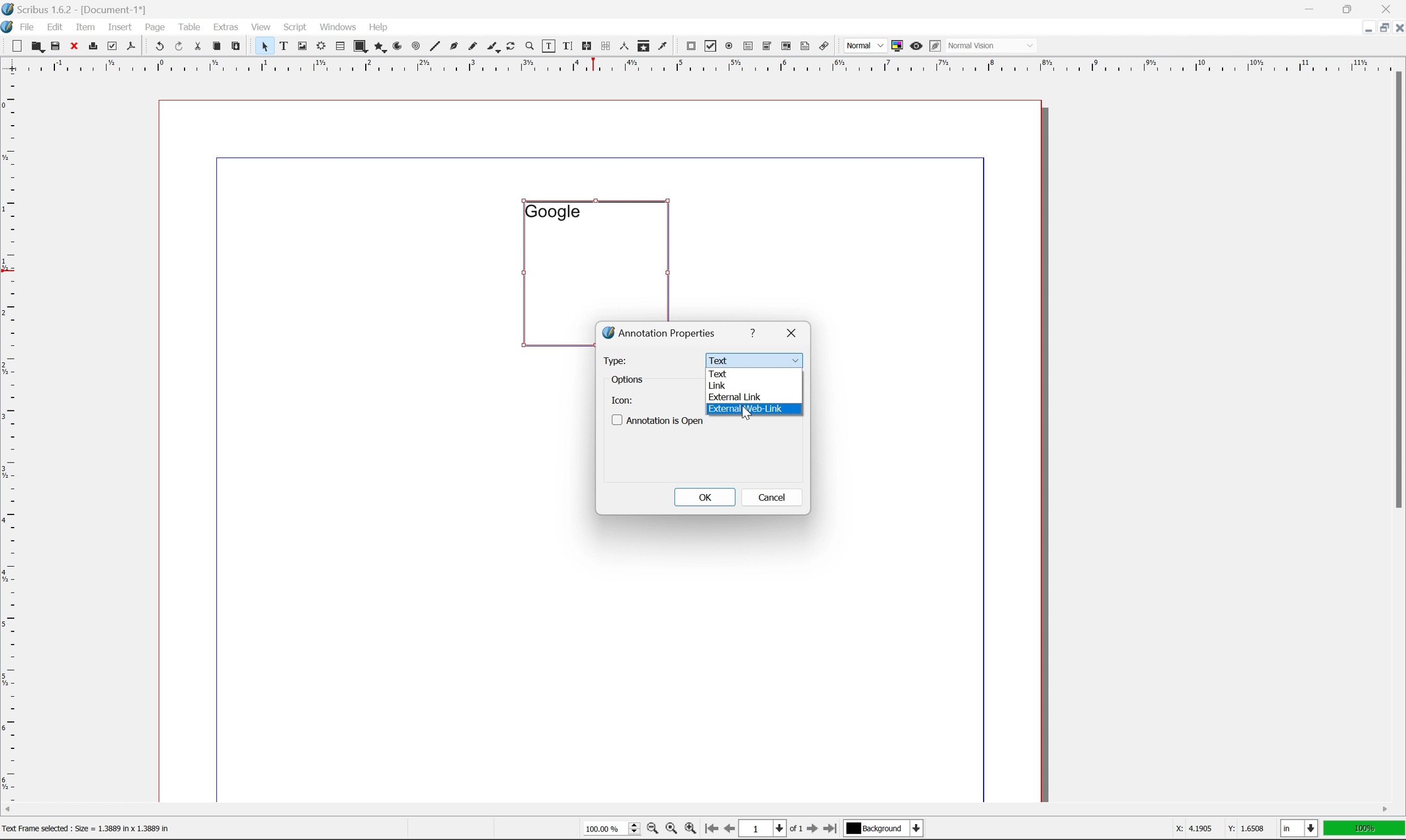  I want to click on zoom to 100%, so click(670, 830).